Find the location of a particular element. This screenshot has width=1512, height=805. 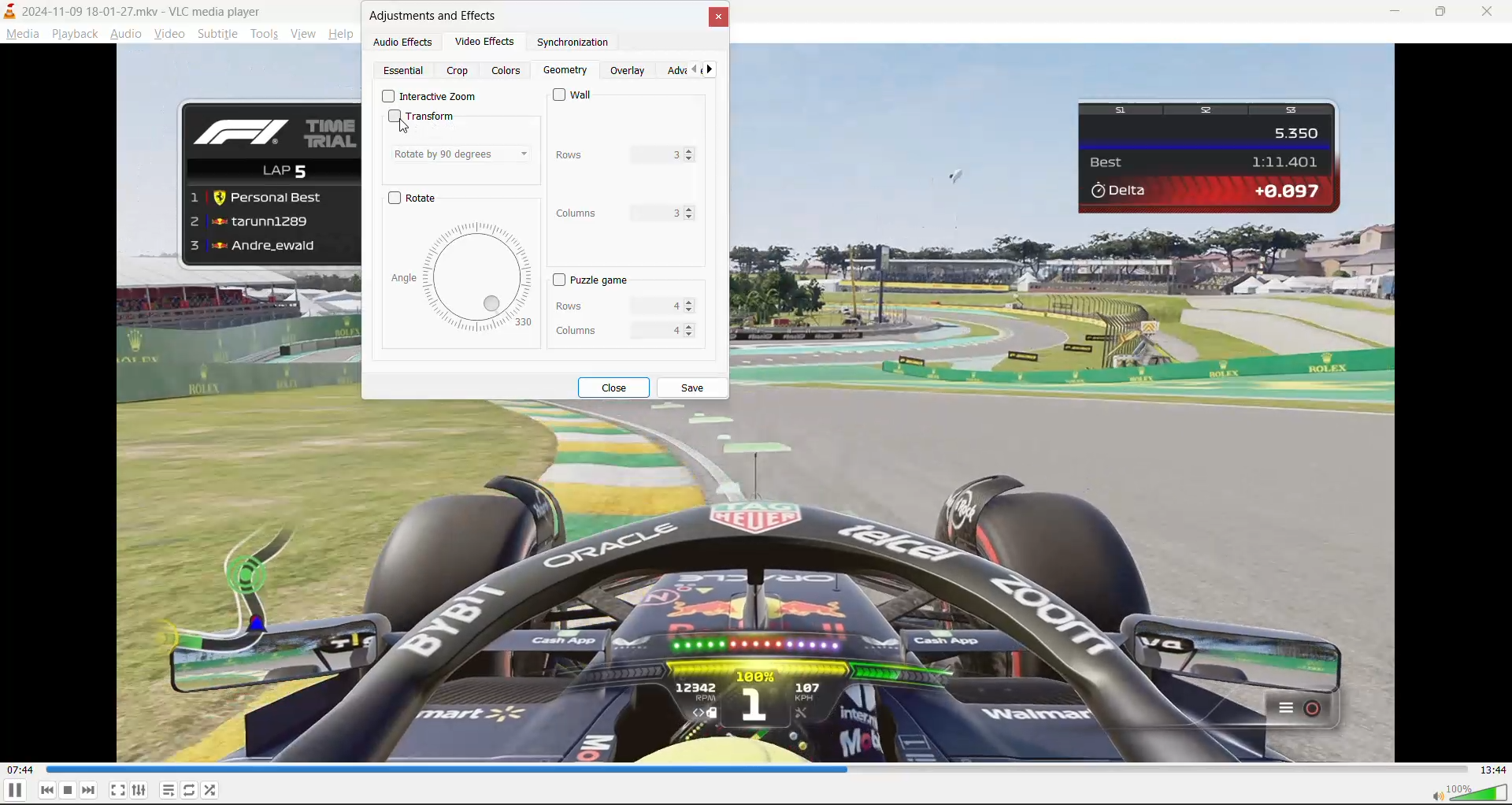

tools is located at coordinates (264, 33).